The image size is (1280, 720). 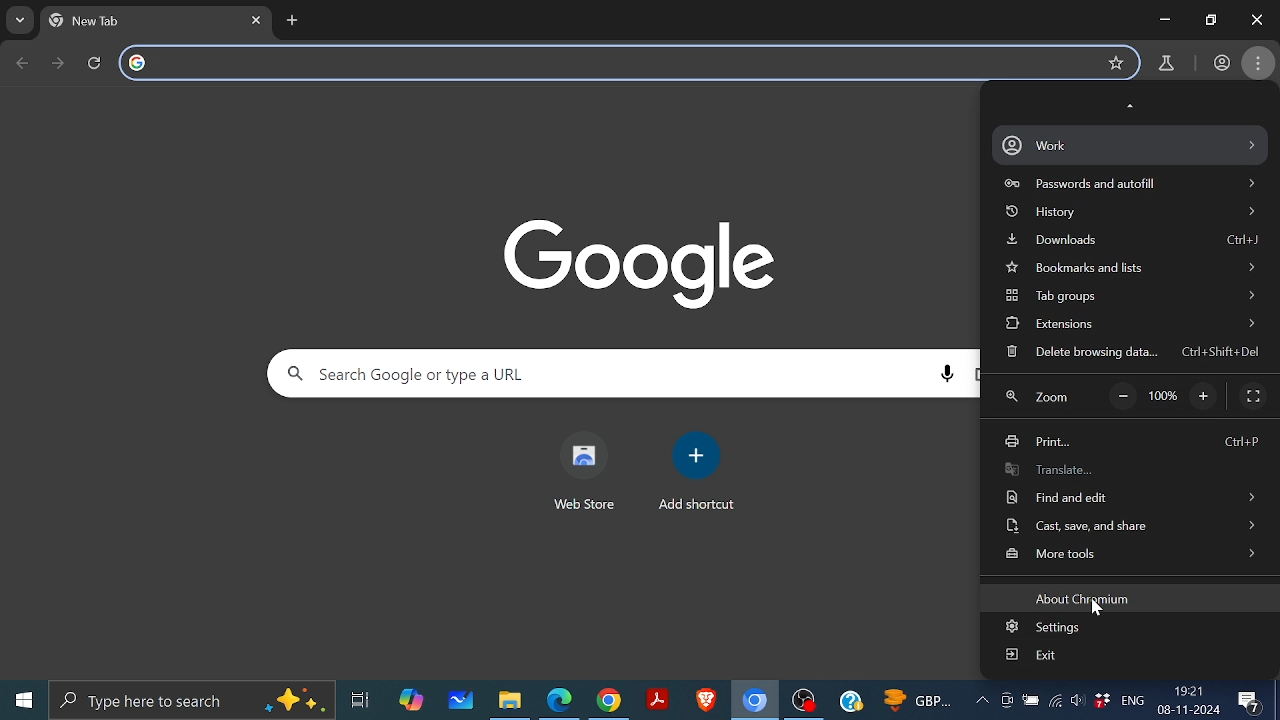 What do you see at coordinates (59, 62) in the screenshot?
I see `Move to next page` at bounding box center [59, 62].